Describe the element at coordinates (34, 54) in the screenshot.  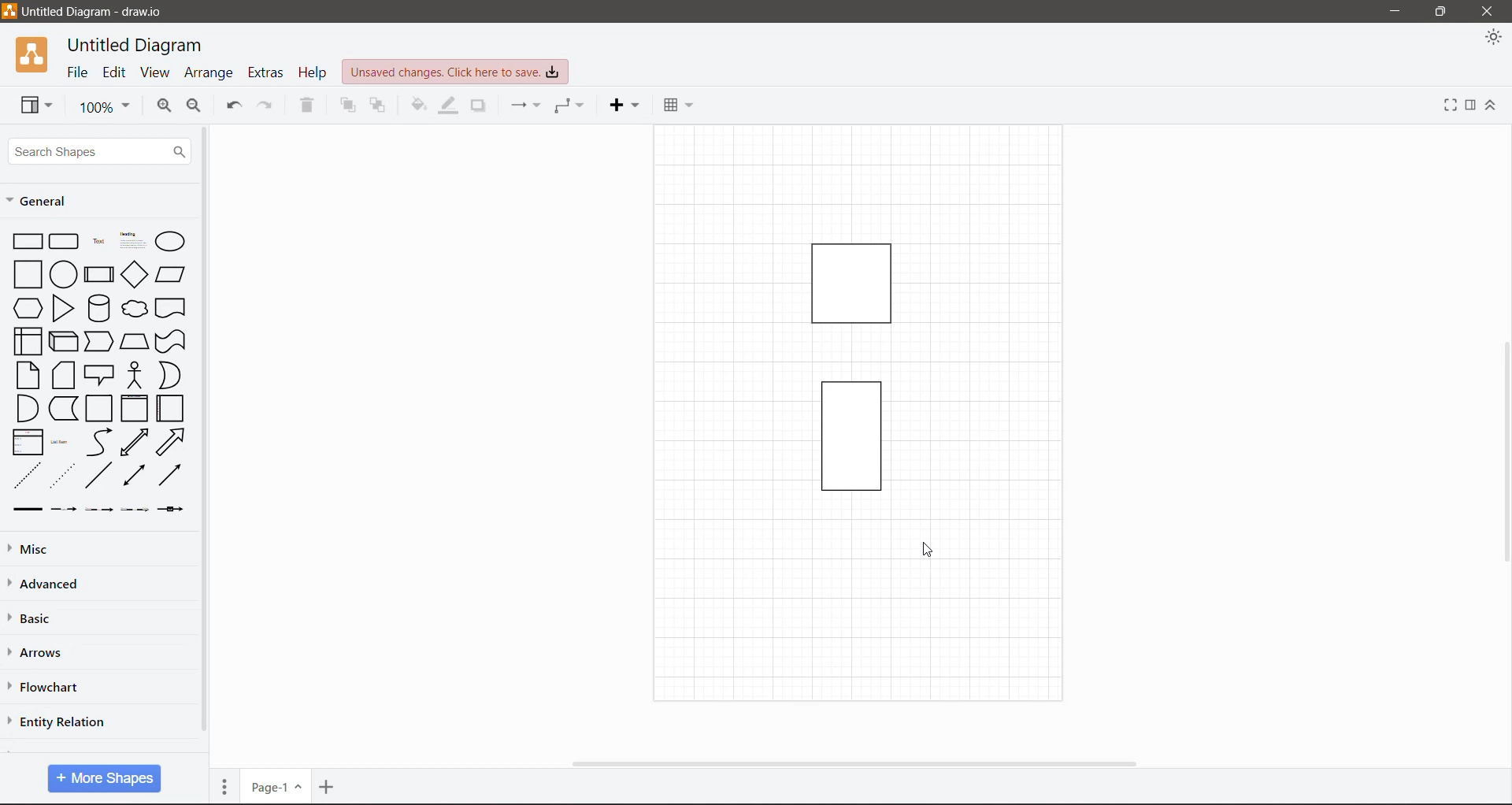
I see `Application Logo` at that location.